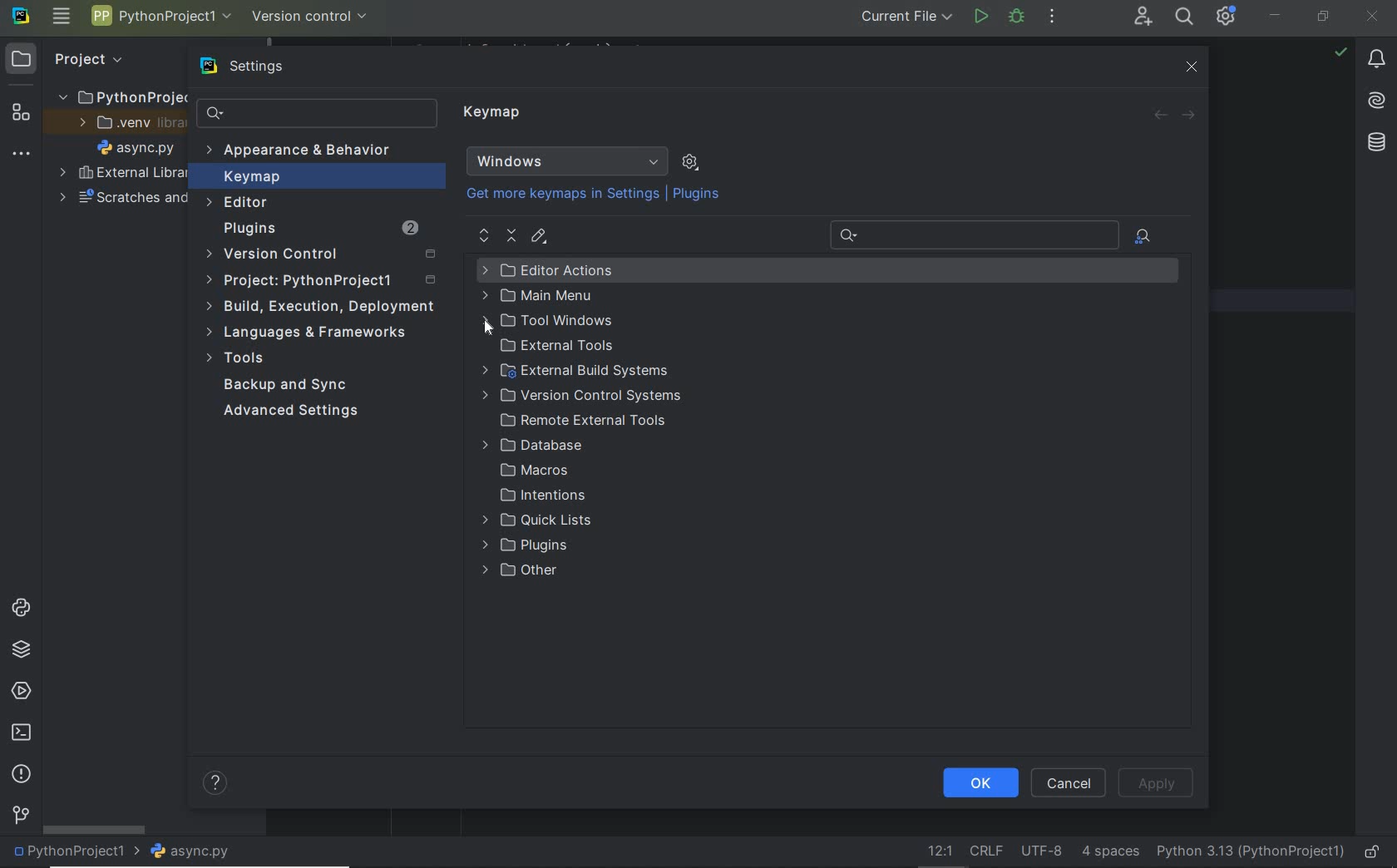 This screenshot has height=868, width=1397. What do you see at coordinates (124, 123) in the screenshot?
I see `.venv` at bounding box center [124, 123].